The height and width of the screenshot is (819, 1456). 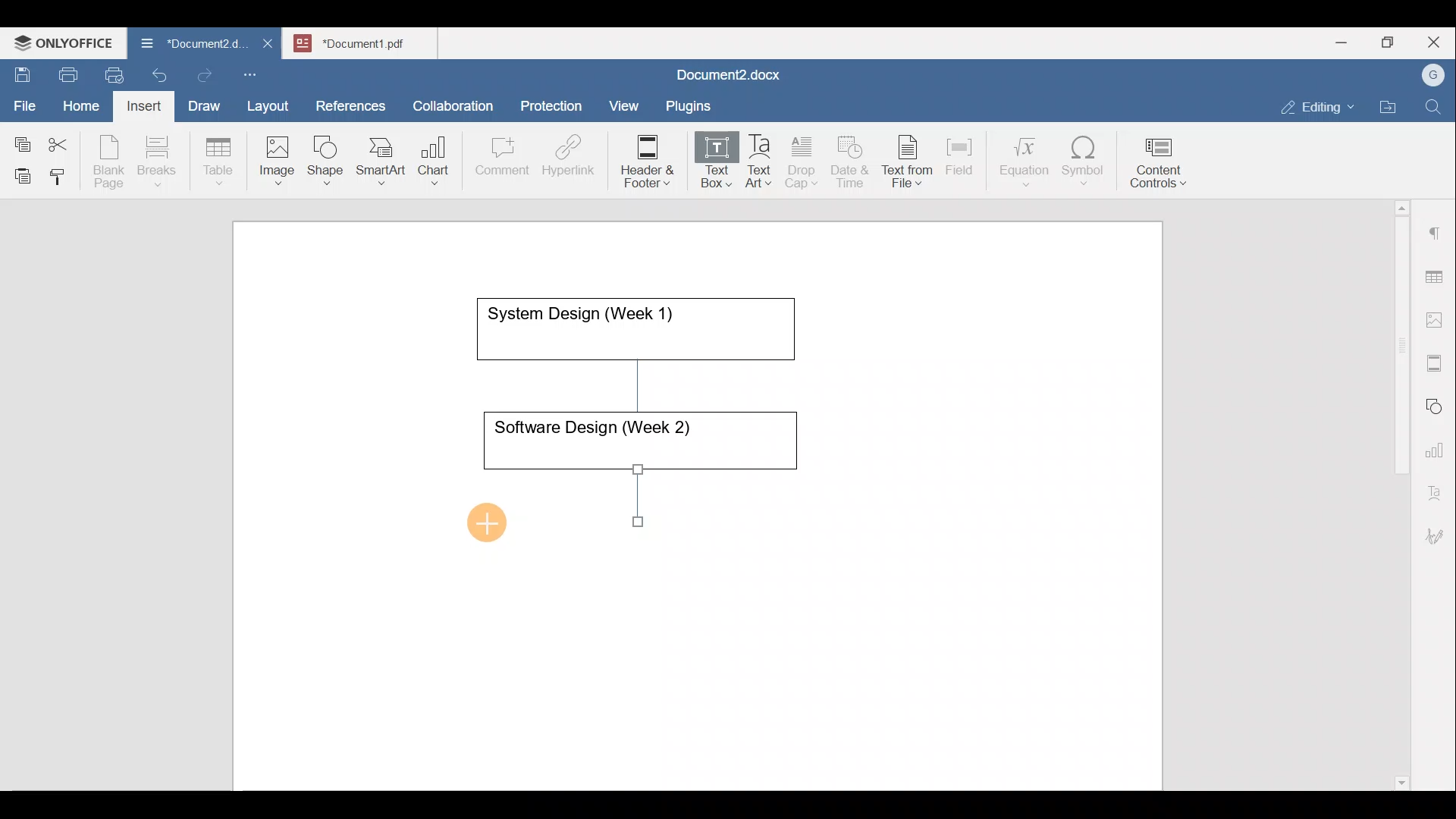 I want to click on Print file, so click(x=65, y=72).